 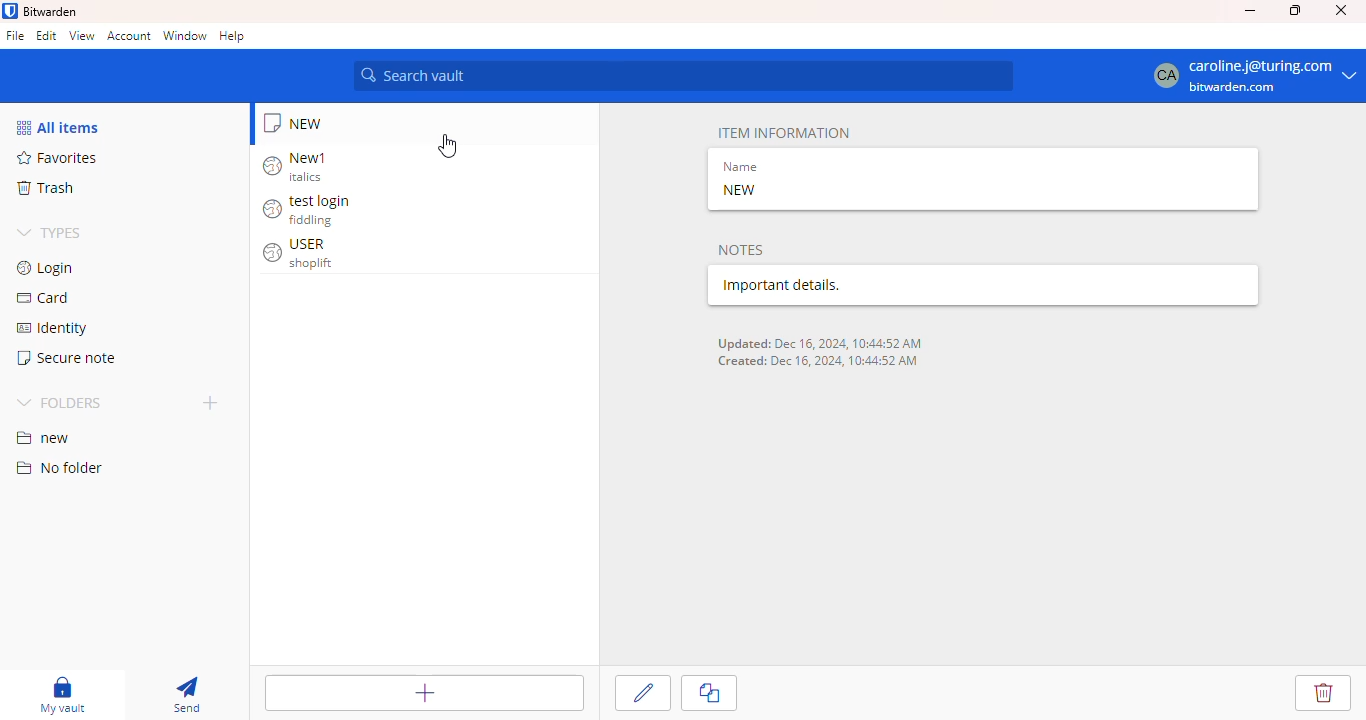 What do you see at coordinates (46, 35) in the screenshot?
I see `edit` at bounding box center [46, 35].